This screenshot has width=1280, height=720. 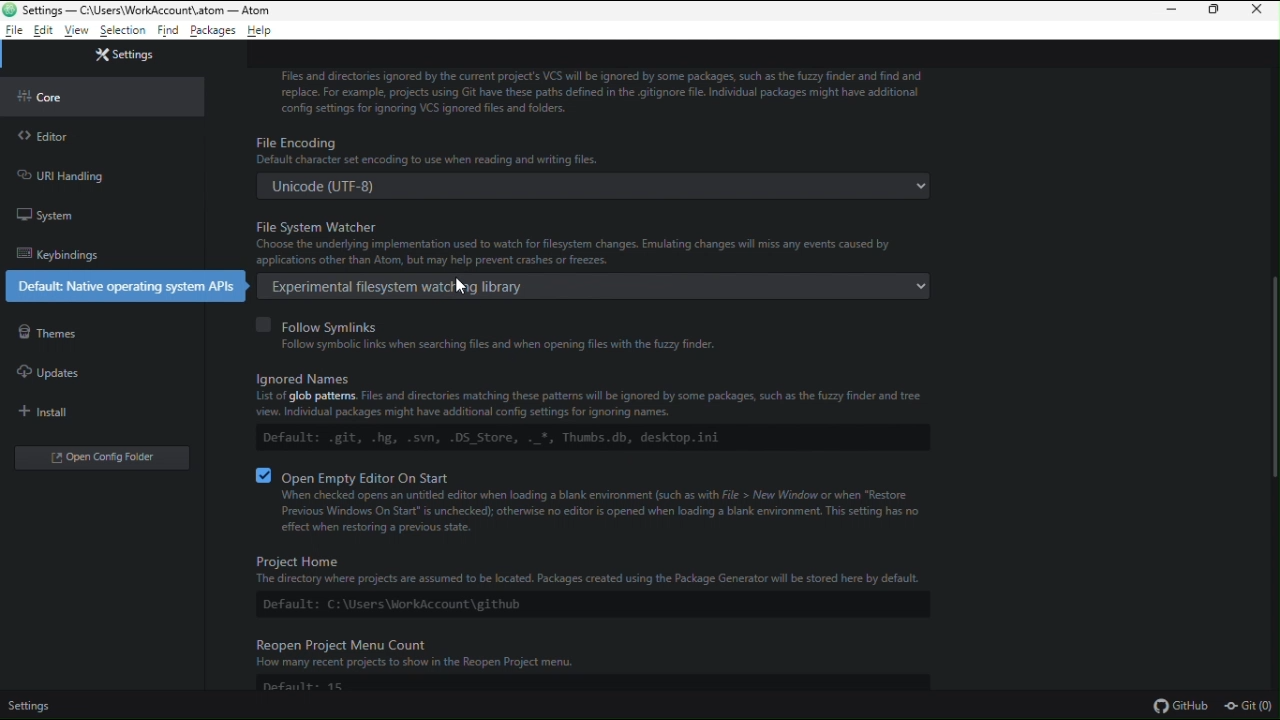 I want to click on Settings , so click(x=30, y=708).